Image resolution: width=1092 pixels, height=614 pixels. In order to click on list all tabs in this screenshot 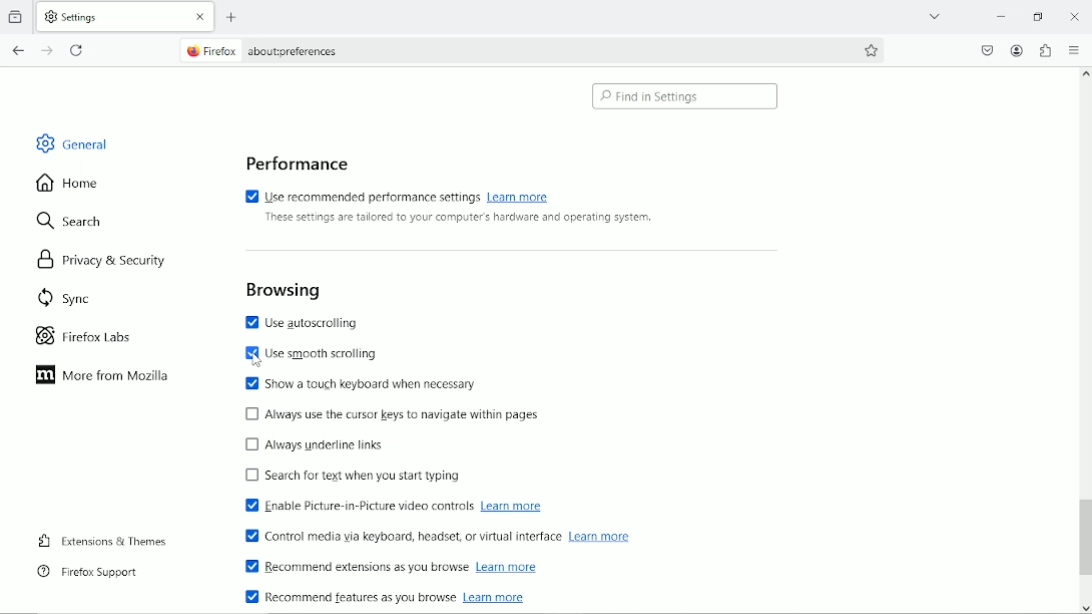, I will do `click(935, 14)`.